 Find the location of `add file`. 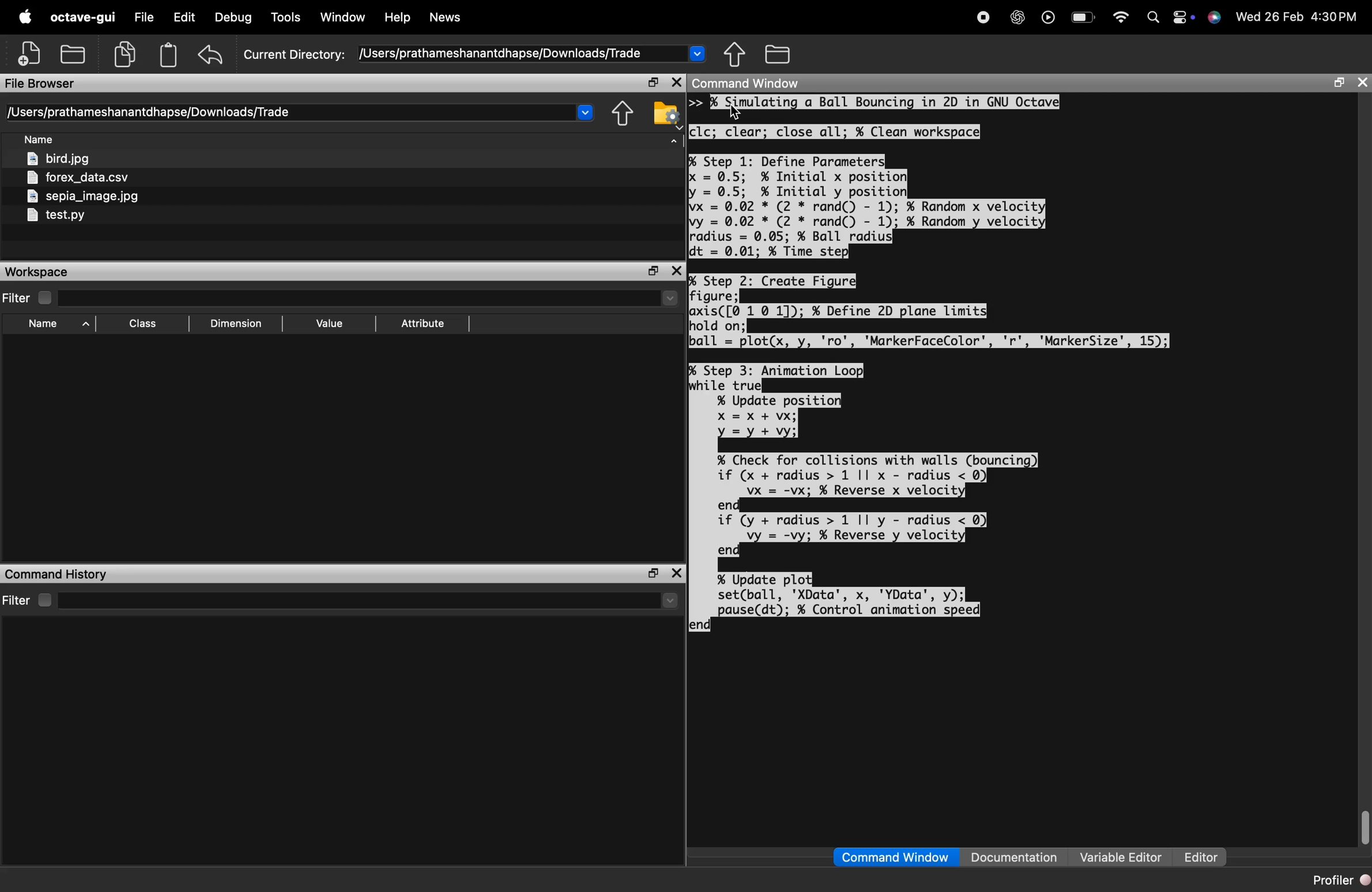

add file is located at coordinates (31, 51).